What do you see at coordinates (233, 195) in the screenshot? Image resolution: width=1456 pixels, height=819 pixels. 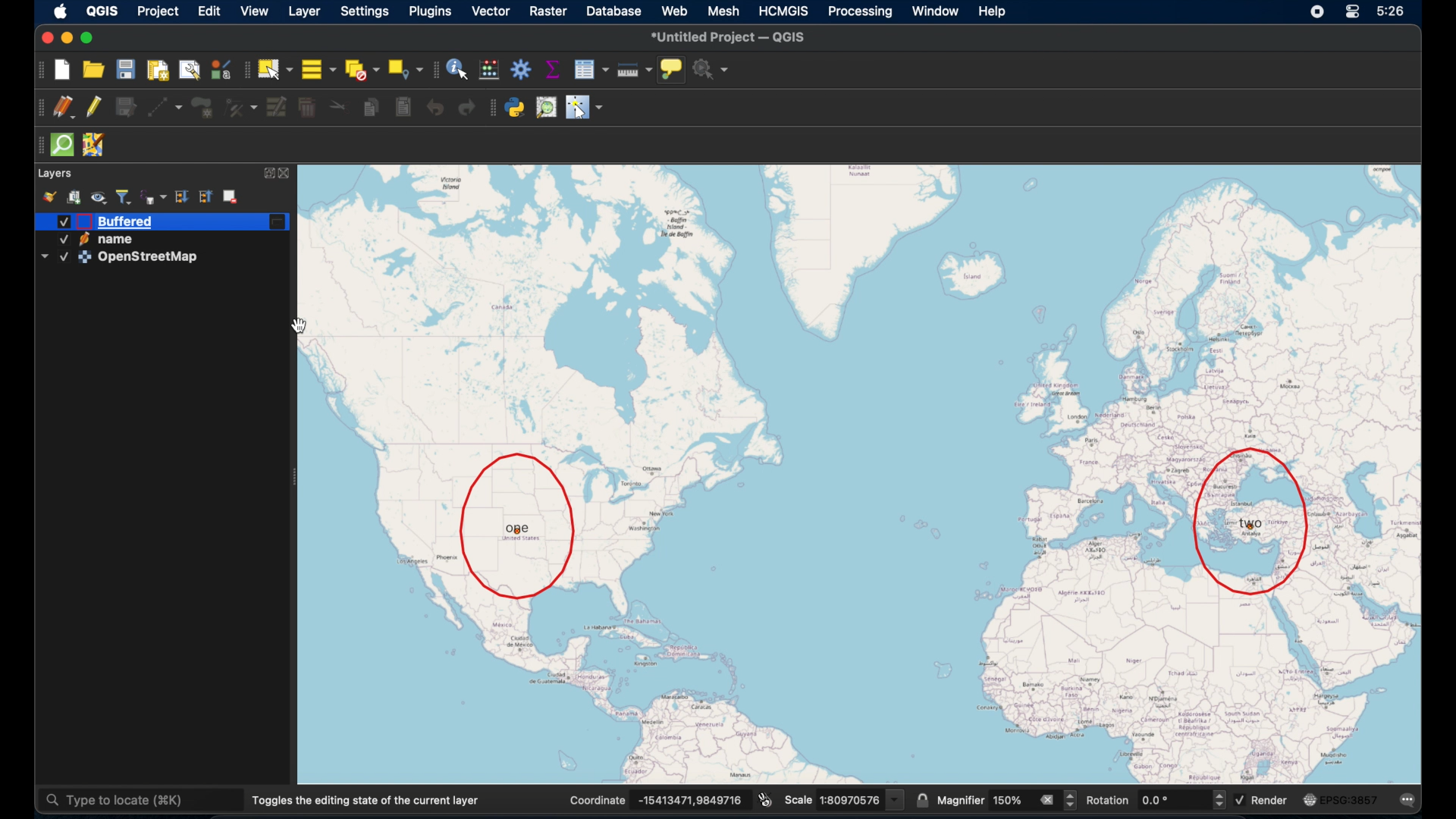 I see `remove layer/group` at bounding box center [233, 195].